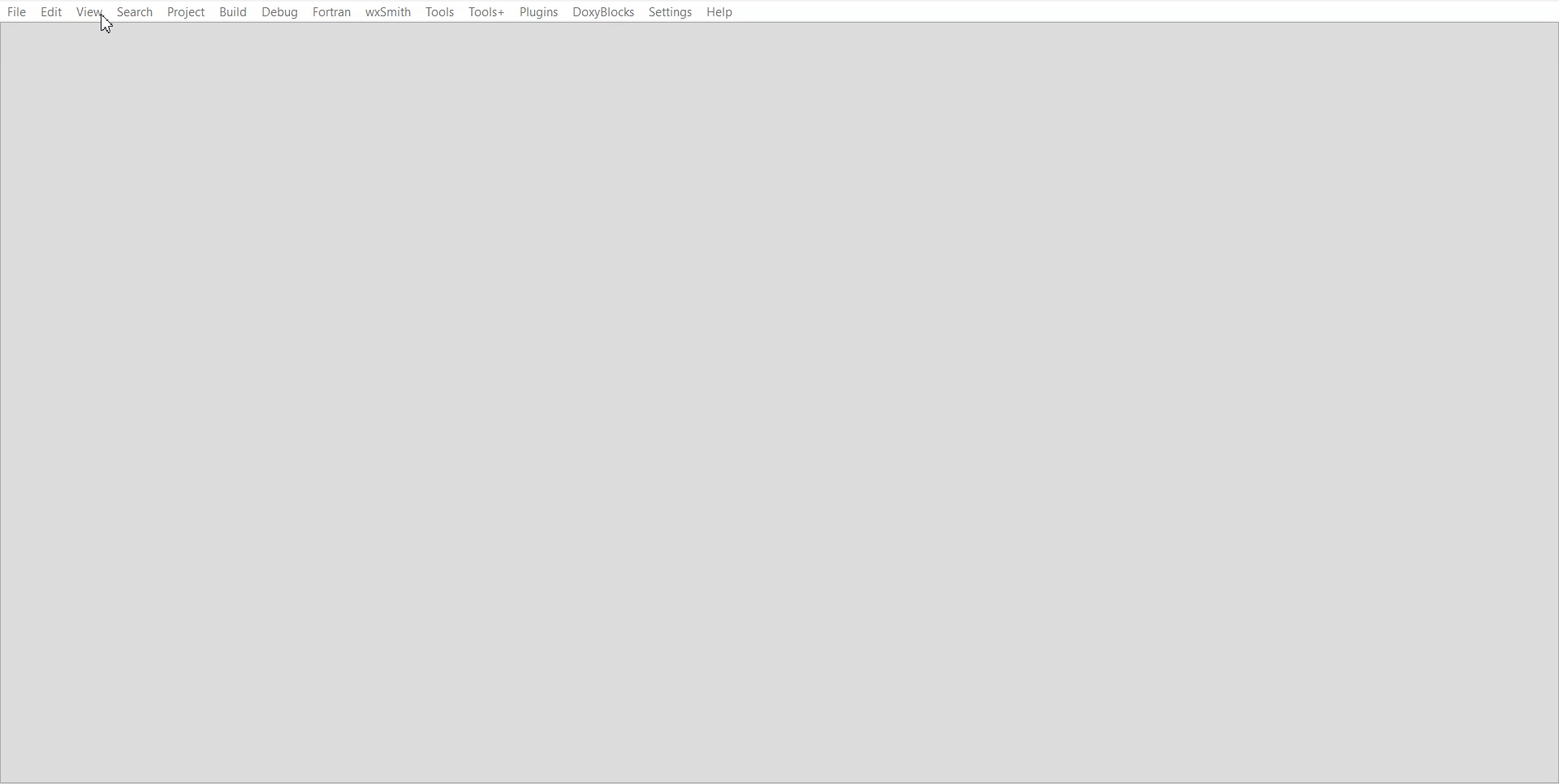 The height and width of the screenshot is (784, 1559). I want to click on Project, so click(187, 13).